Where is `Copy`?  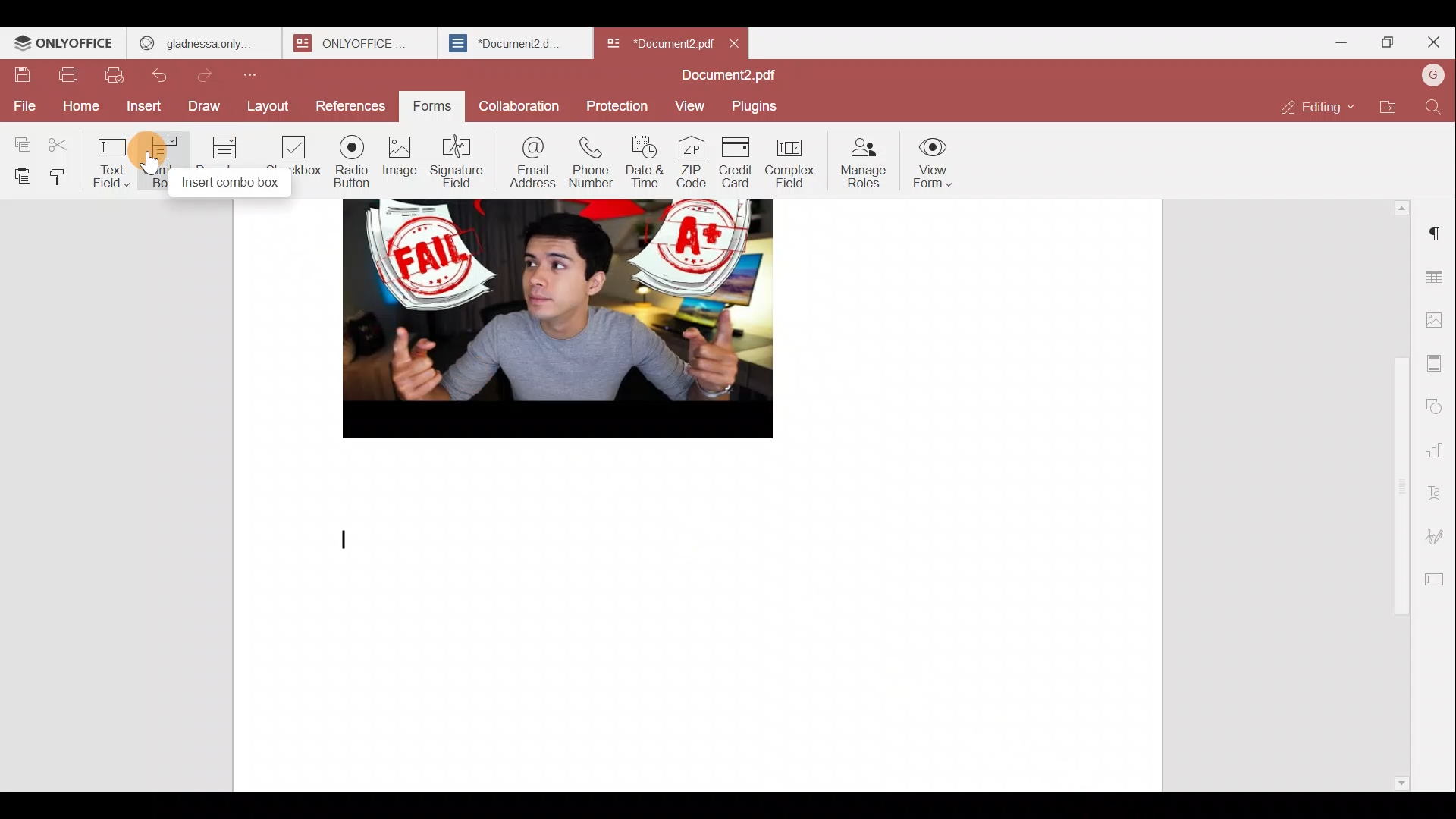
Copy is located at coordinates (22, 141).